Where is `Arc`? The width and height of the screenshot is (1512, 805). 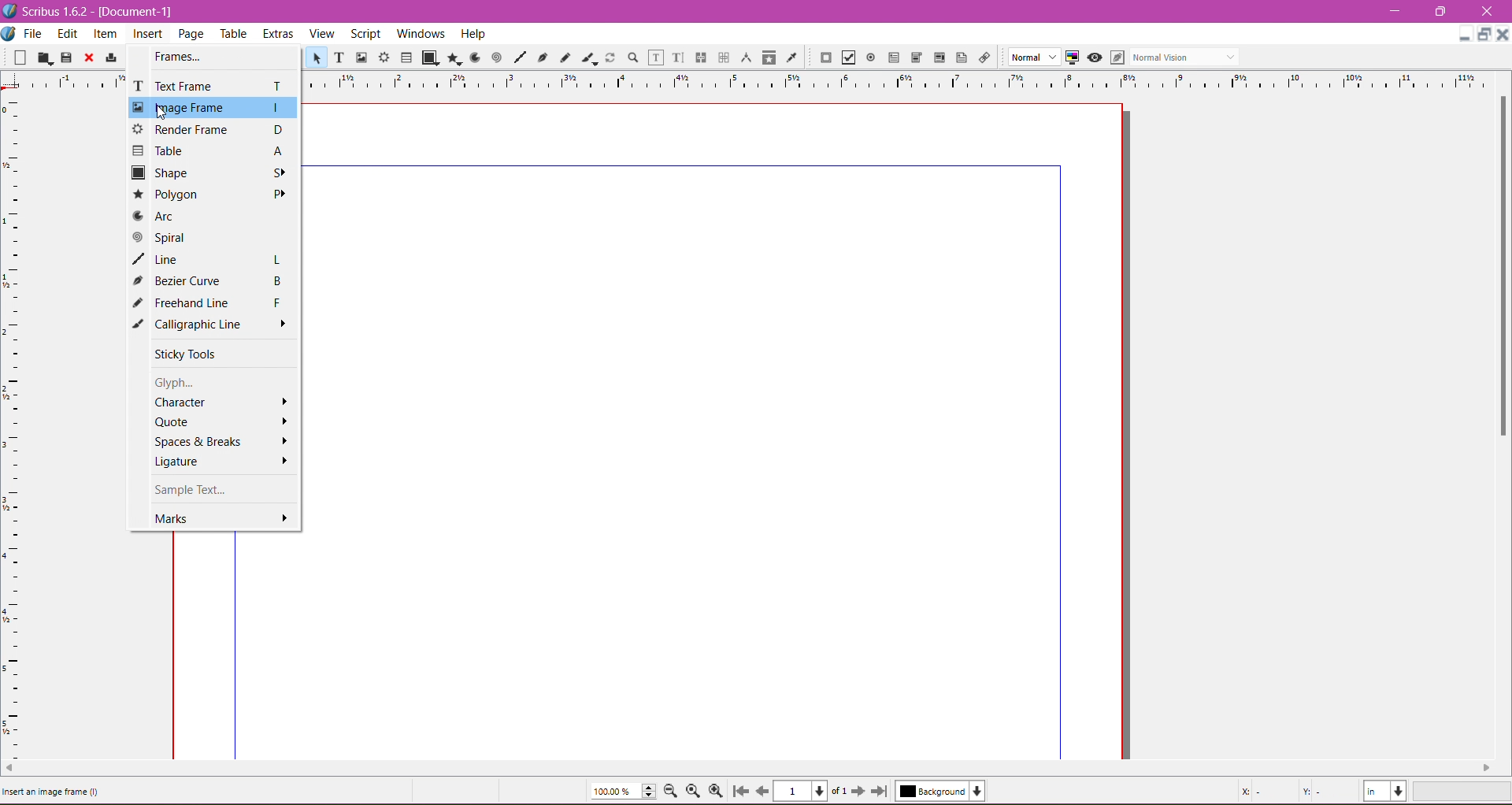
Arc is located at coordinates (214, 216).